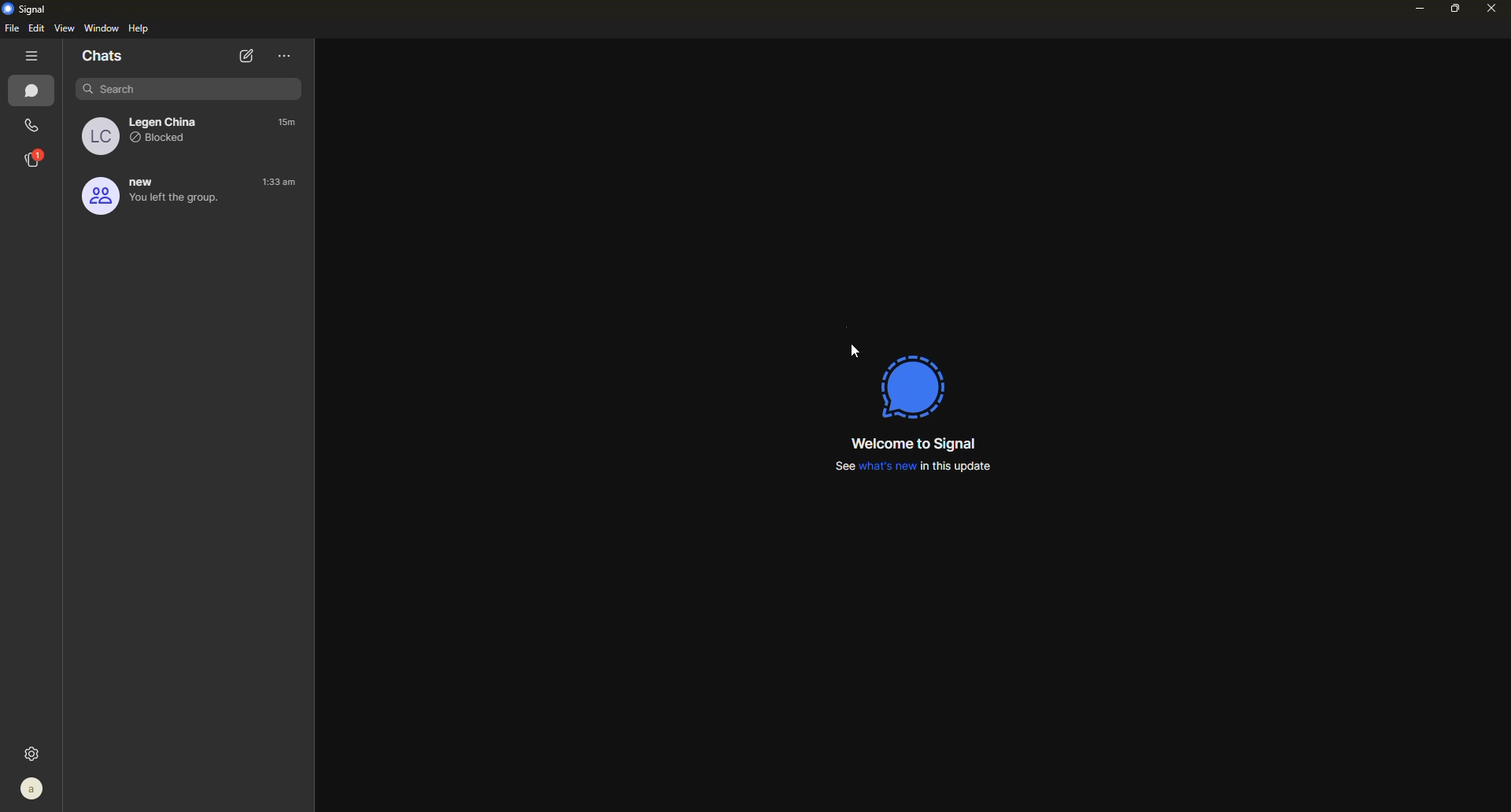 The width and height of the screenshot is (1511, 812). What do you see at coordinates (1450, 9) in the screenshot?
I see `maximize` at bounding box center [1450, 9].